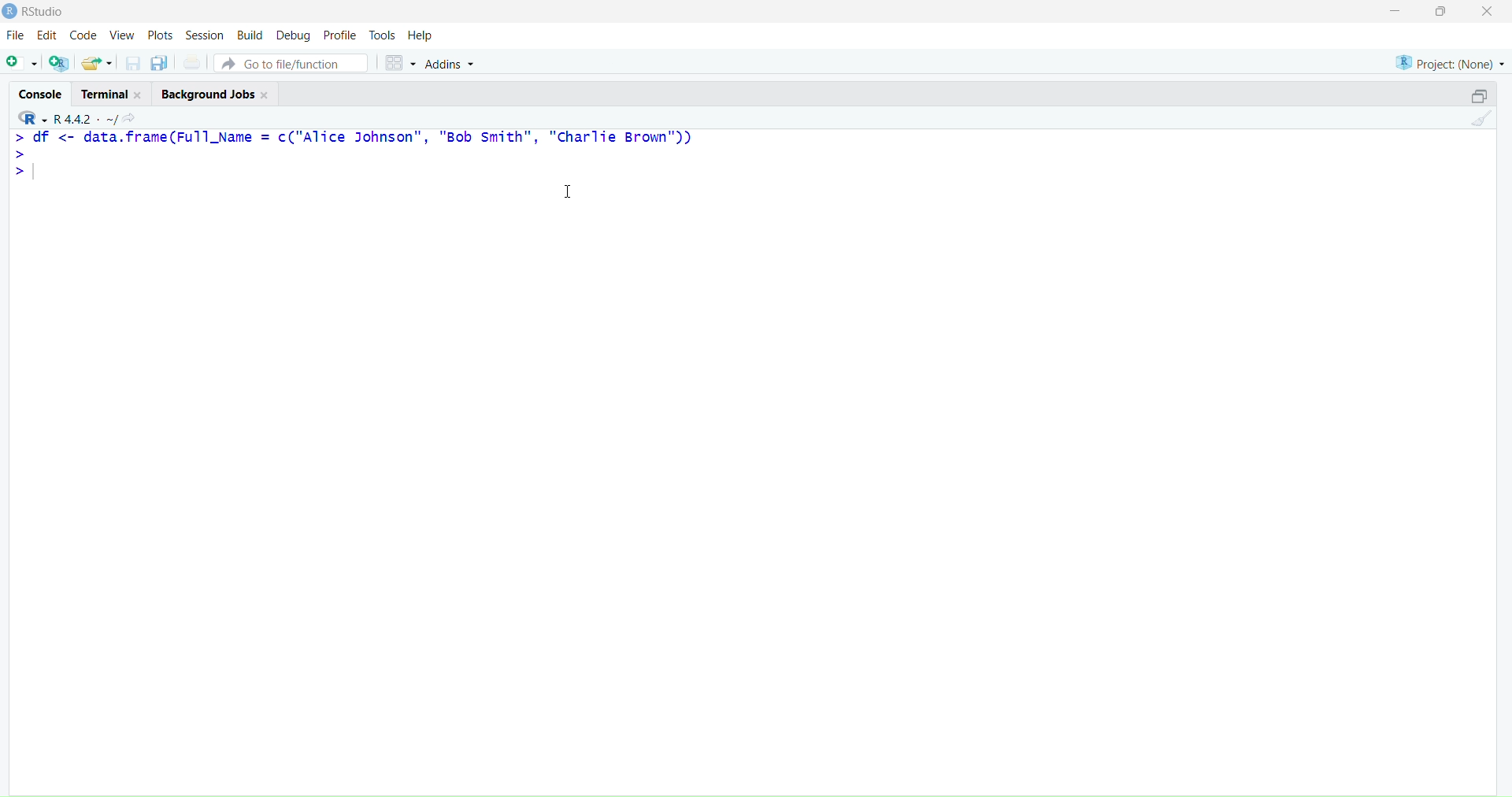 The width and height of the screenshot is (1512, 797). I want to click on Tools, so click(383, 34).